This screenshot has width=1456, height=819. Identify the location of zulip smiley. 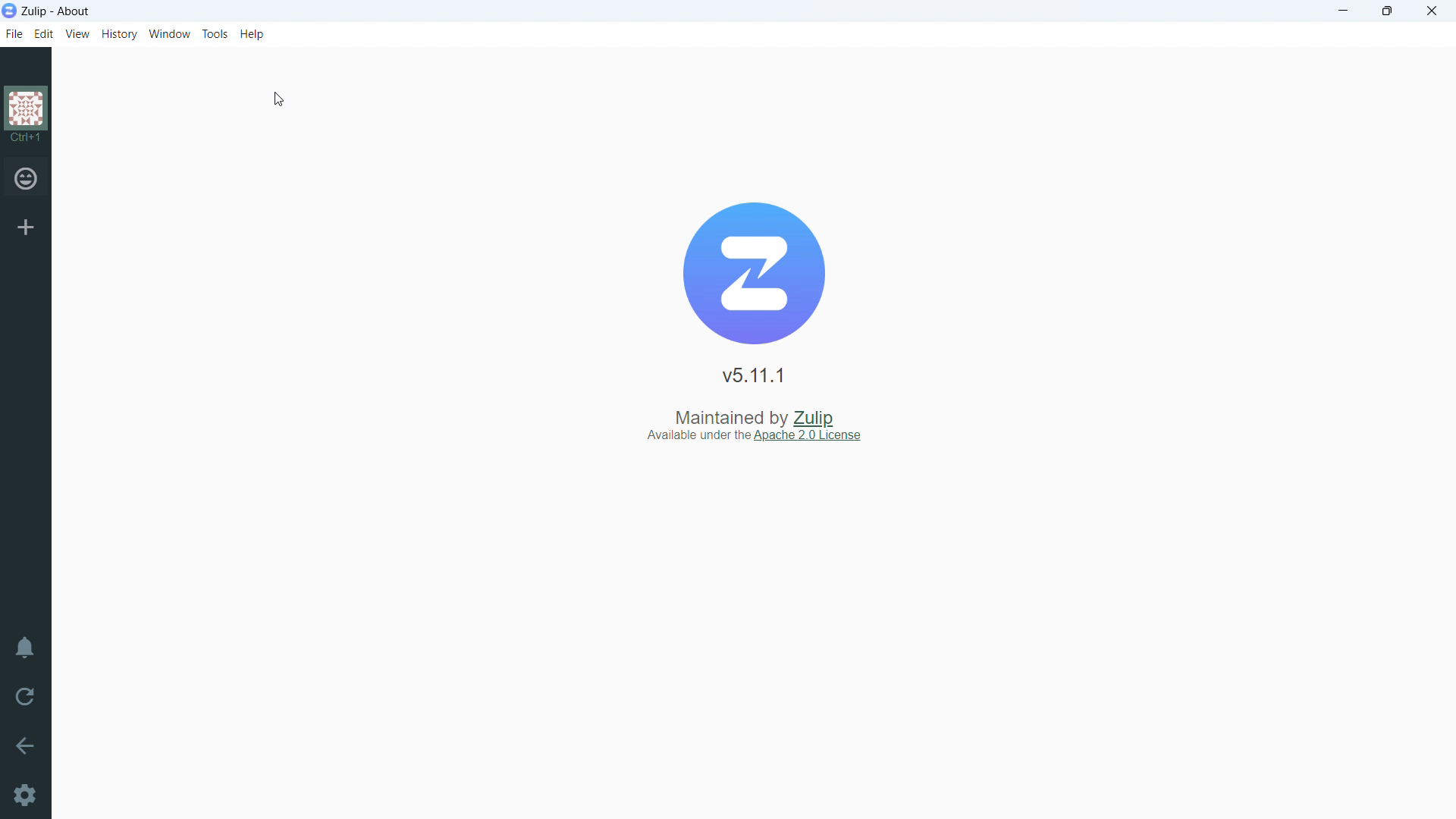
(28, 182).